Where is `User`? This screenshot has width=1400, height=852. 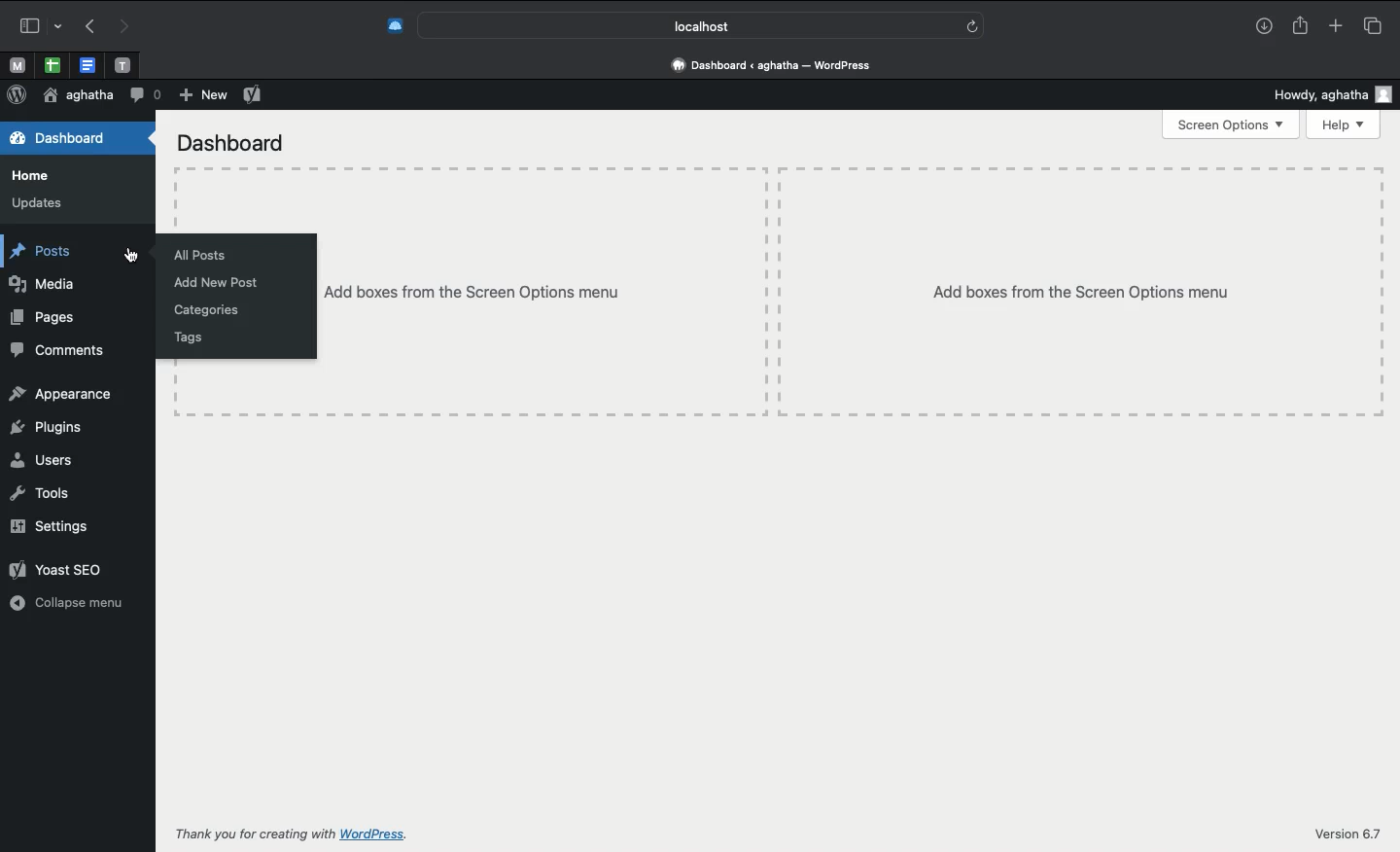 User is located at coordinates (76, 96).